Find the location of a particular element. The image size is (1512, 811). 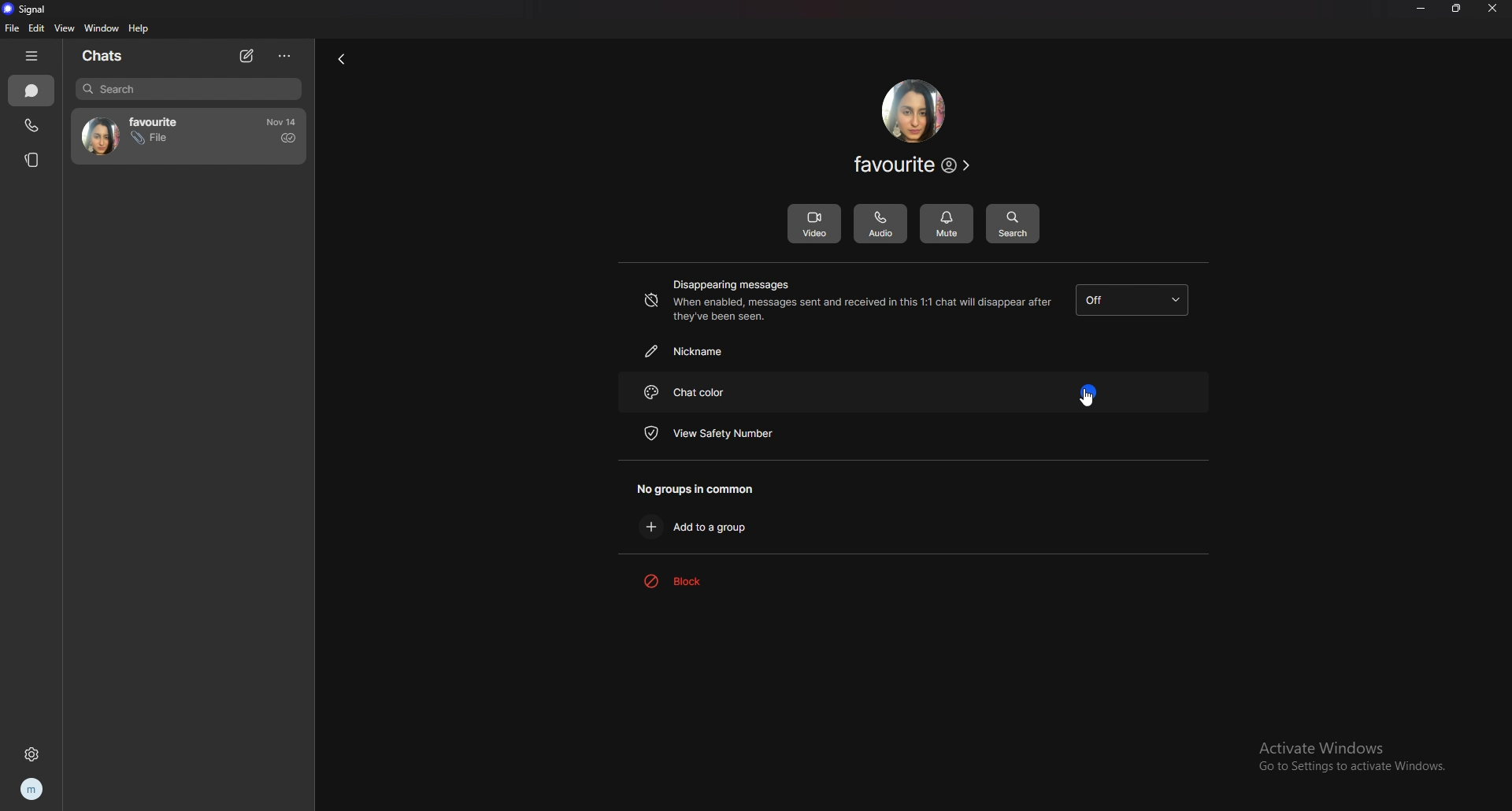

close is located at coordinates (1492, 9).